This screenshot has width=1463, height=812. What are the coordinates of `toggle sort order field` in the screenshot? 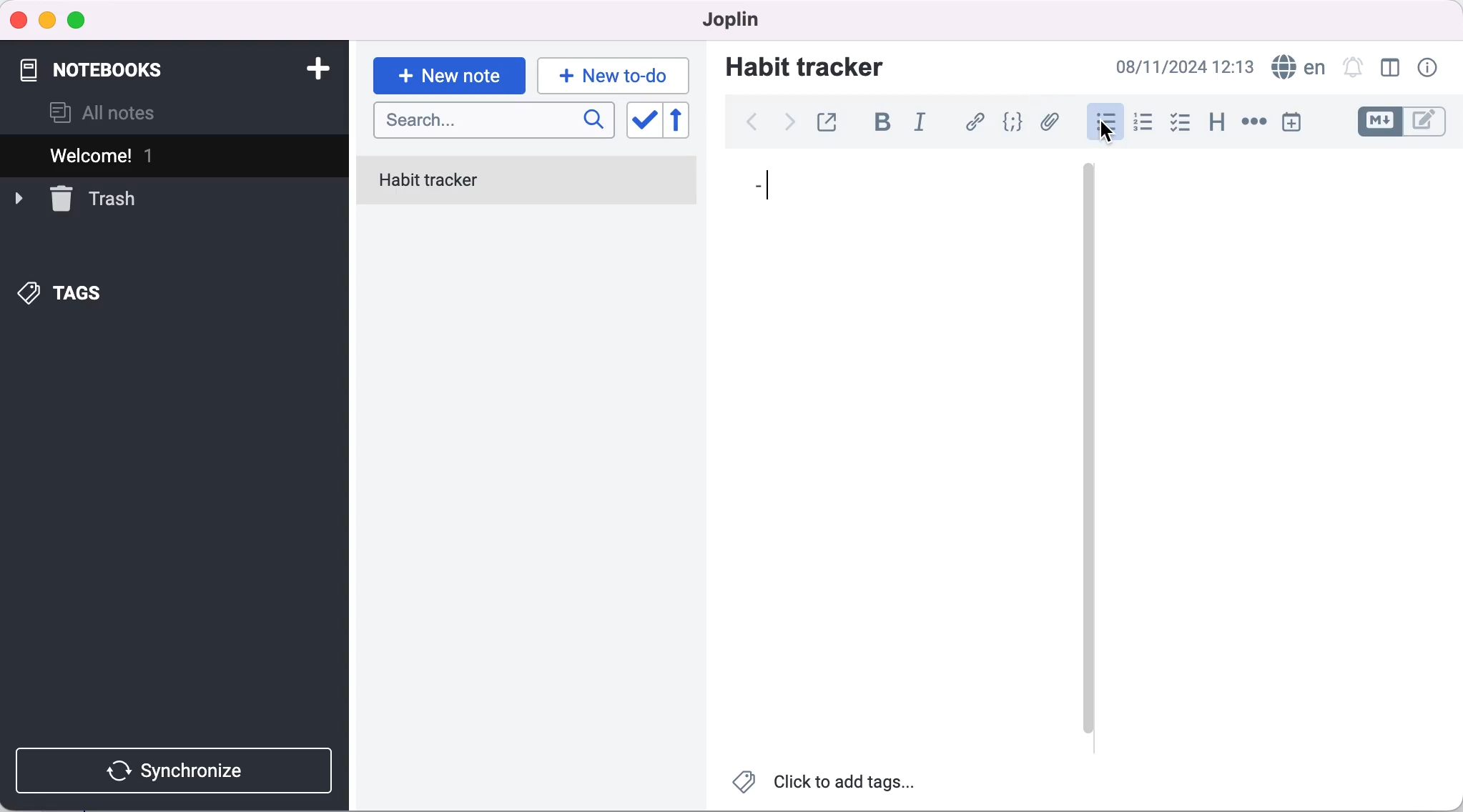 It's located at (643, 122).